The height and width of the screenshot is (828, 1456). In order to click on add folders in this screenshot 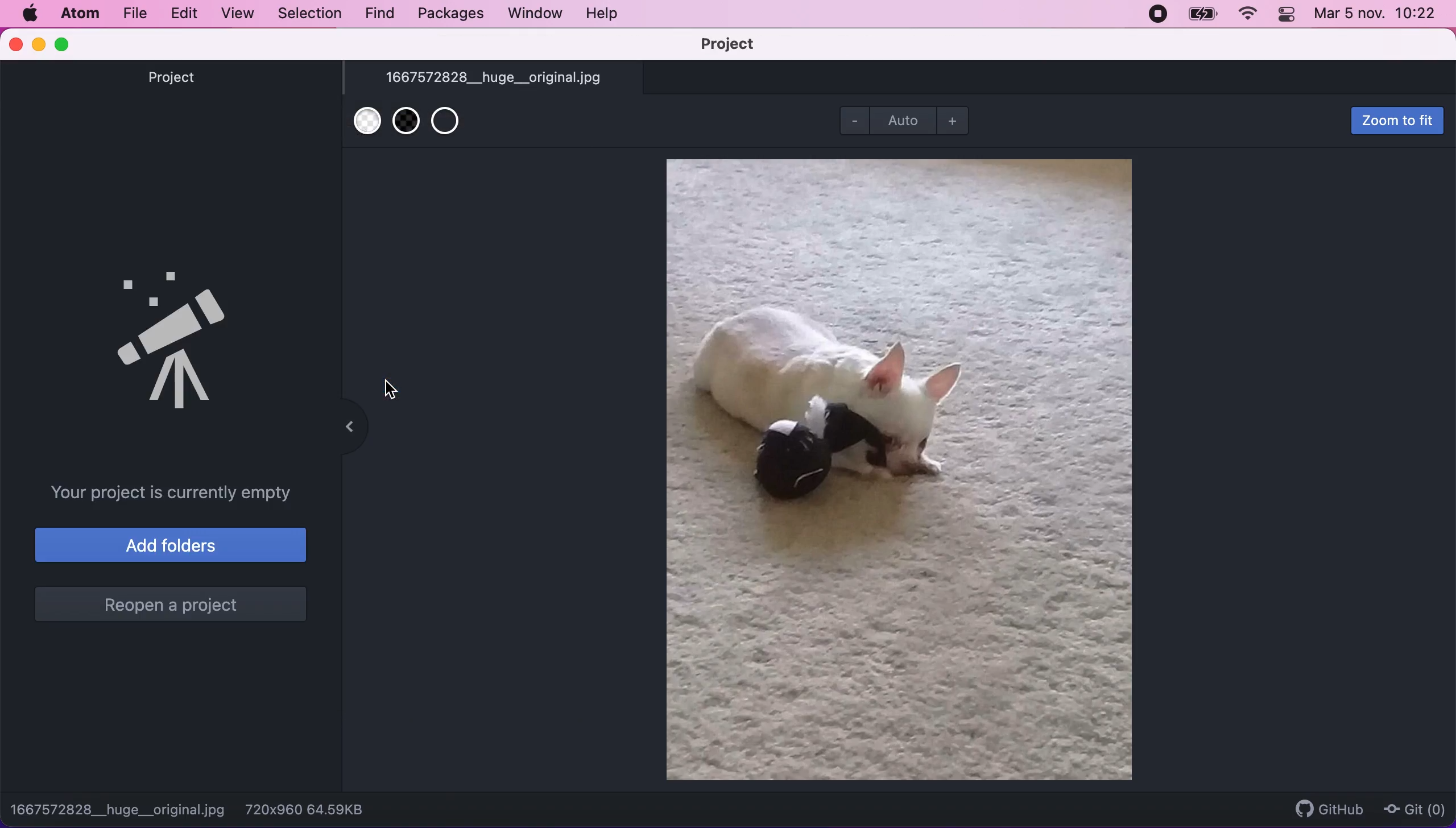, I will do `click(172, 548)`.